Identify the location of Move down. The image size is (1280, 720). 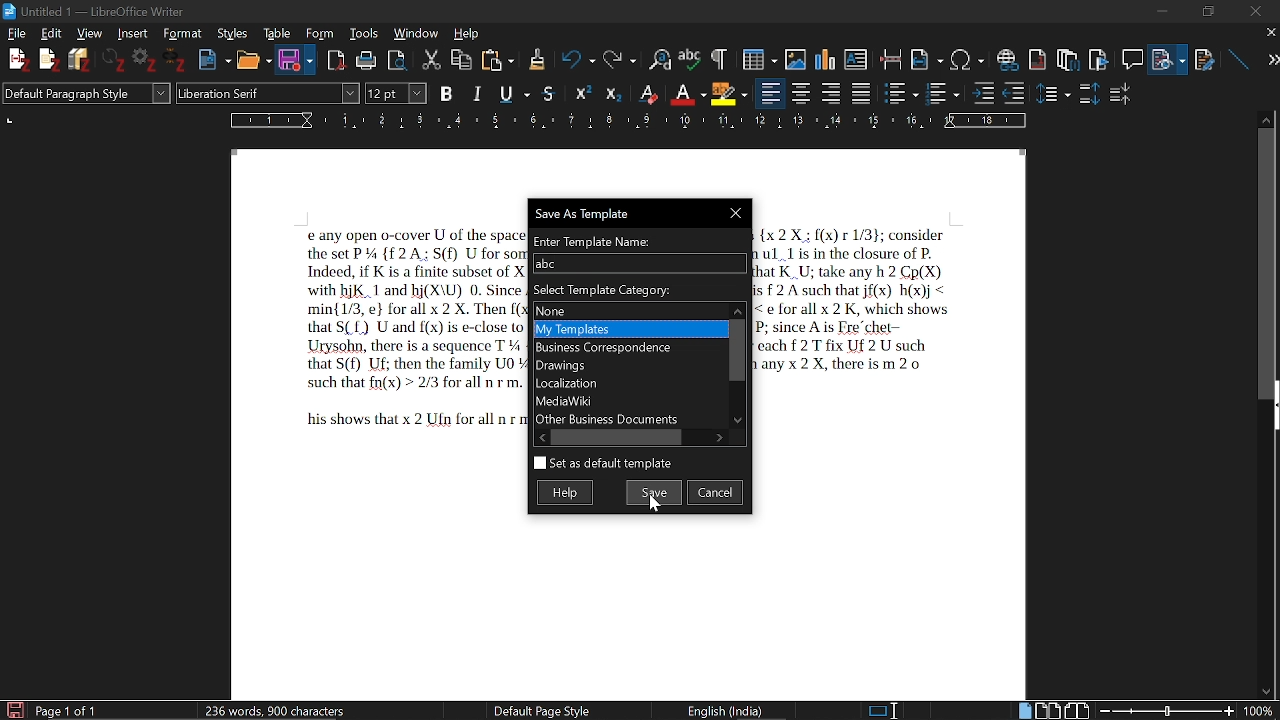
(740, 421).